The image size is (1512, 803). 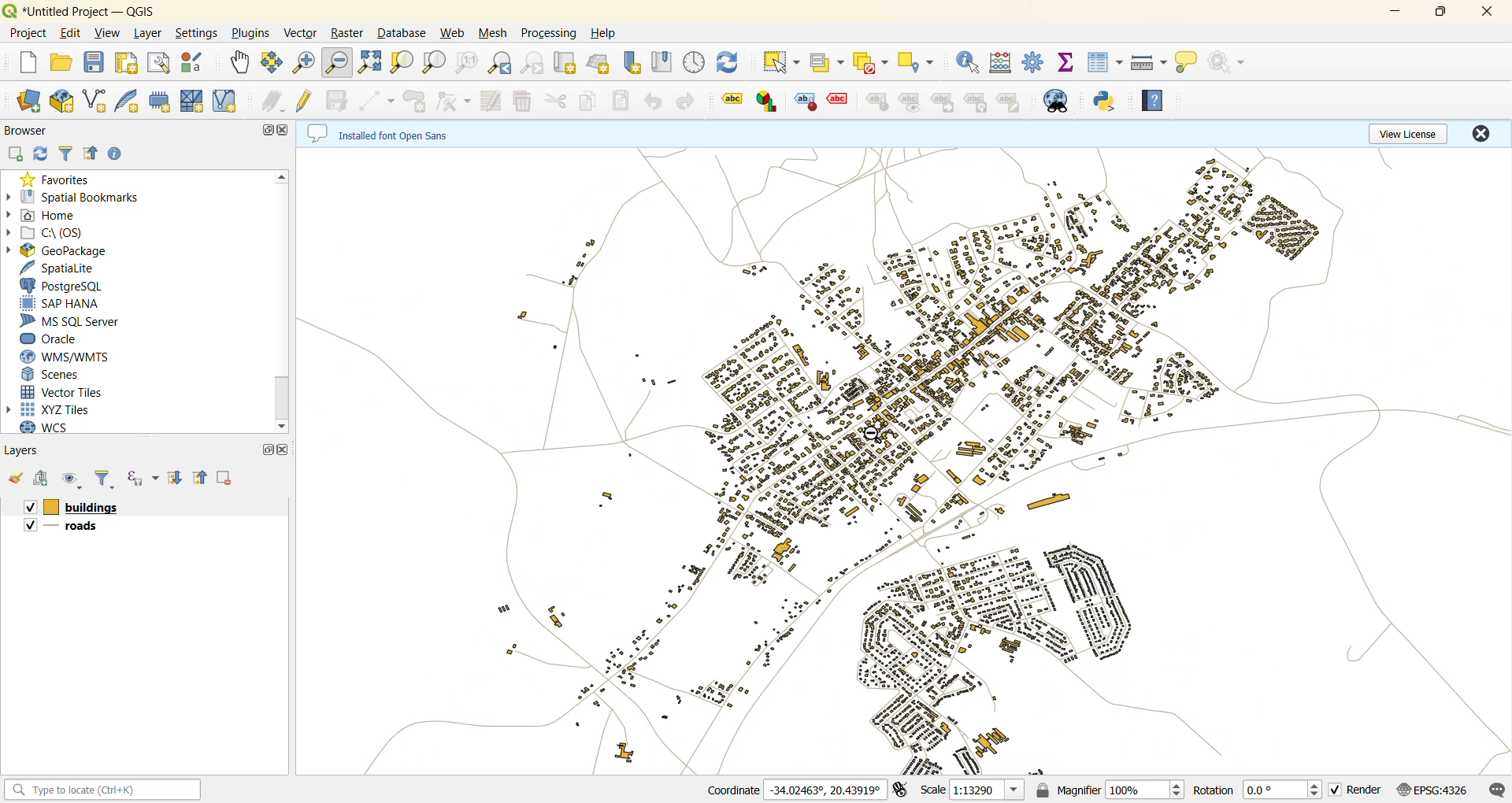 What do you see at coordinates (902, 463) in the screenshot?
I see `zoomed out view` at bounding box center [902, 463].